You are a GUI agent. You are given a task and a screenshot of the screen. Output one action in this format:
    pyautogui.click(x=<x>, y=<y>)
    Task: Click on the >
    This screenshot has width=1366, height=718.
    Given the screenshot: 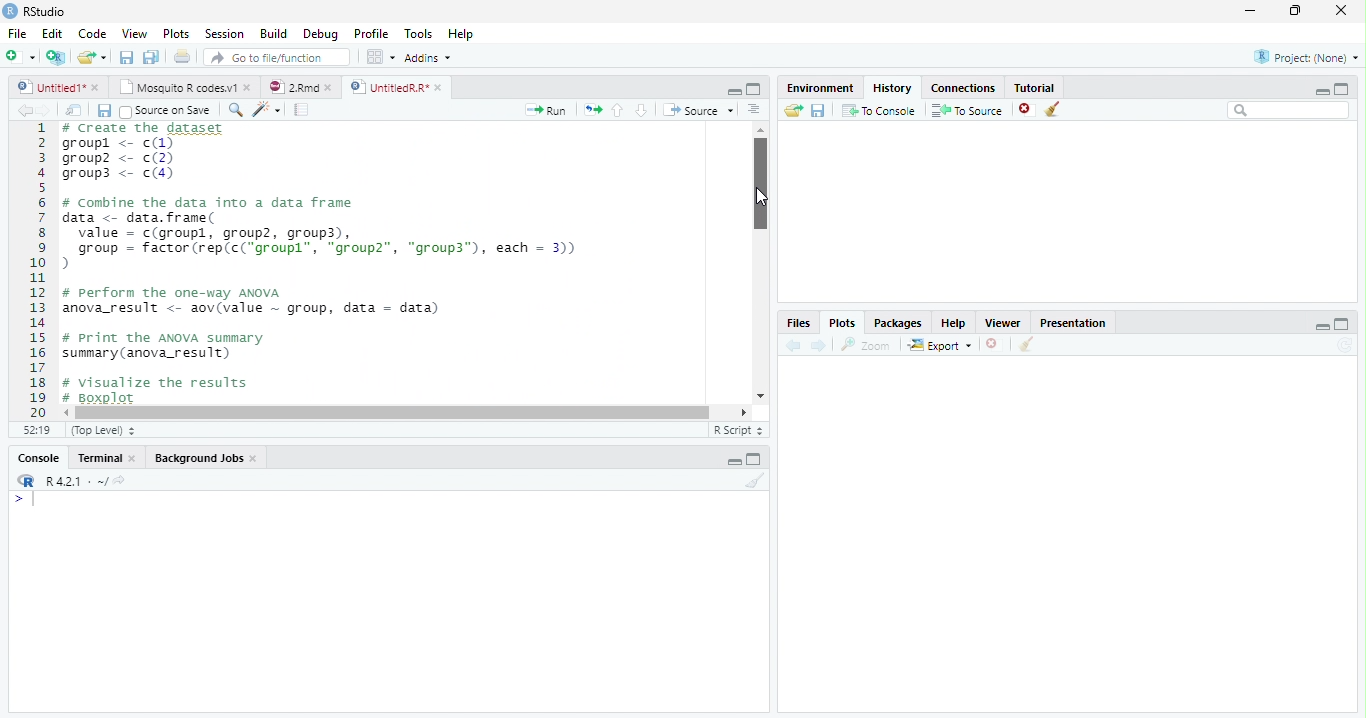 What is the action you would take?
    pyautogui.click(x=14, y=500)
    